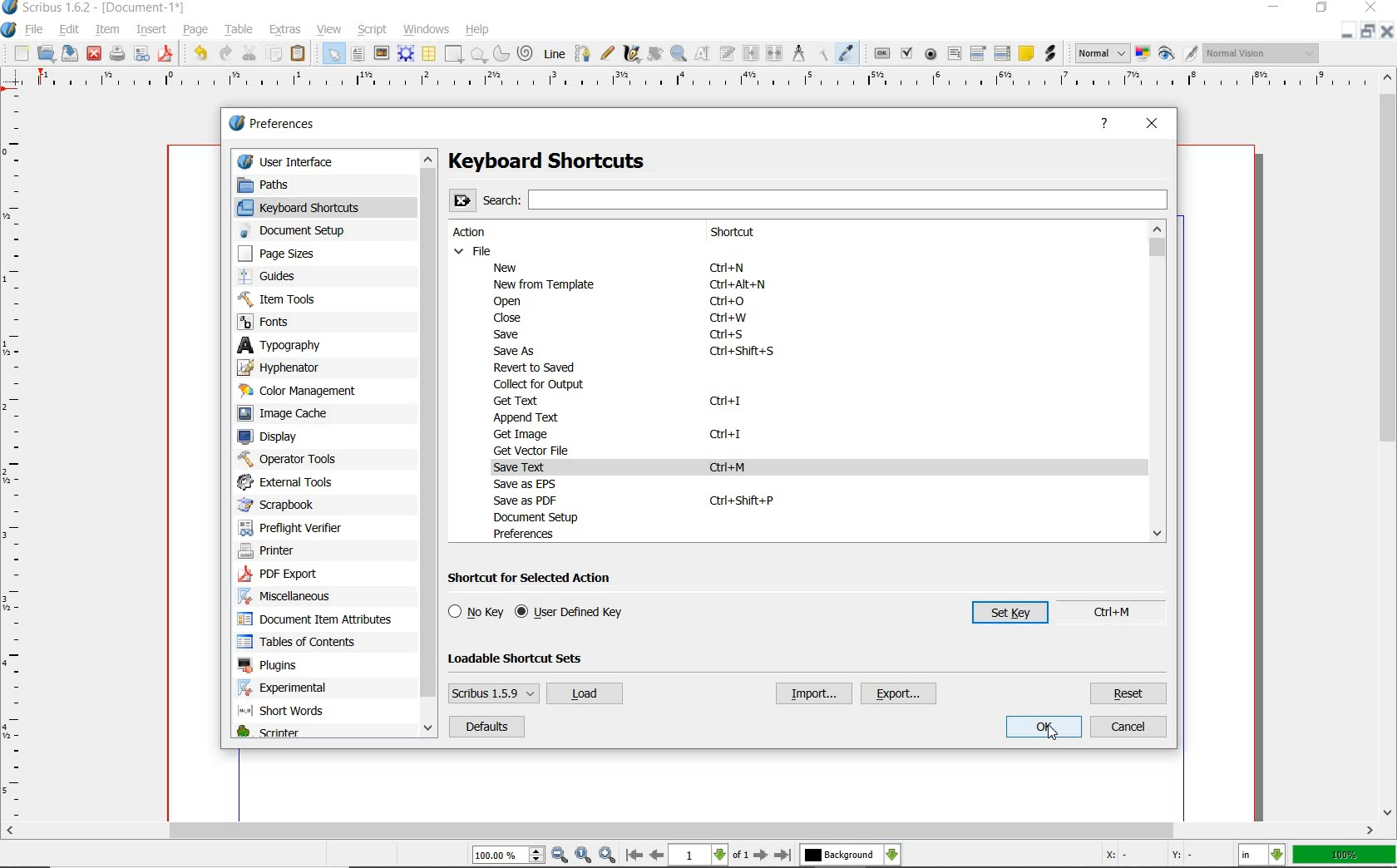 This screenshot has width=1397, height=868. Describe the element at coordinates (478, 31) in the screenshot. I see `help` at that location.